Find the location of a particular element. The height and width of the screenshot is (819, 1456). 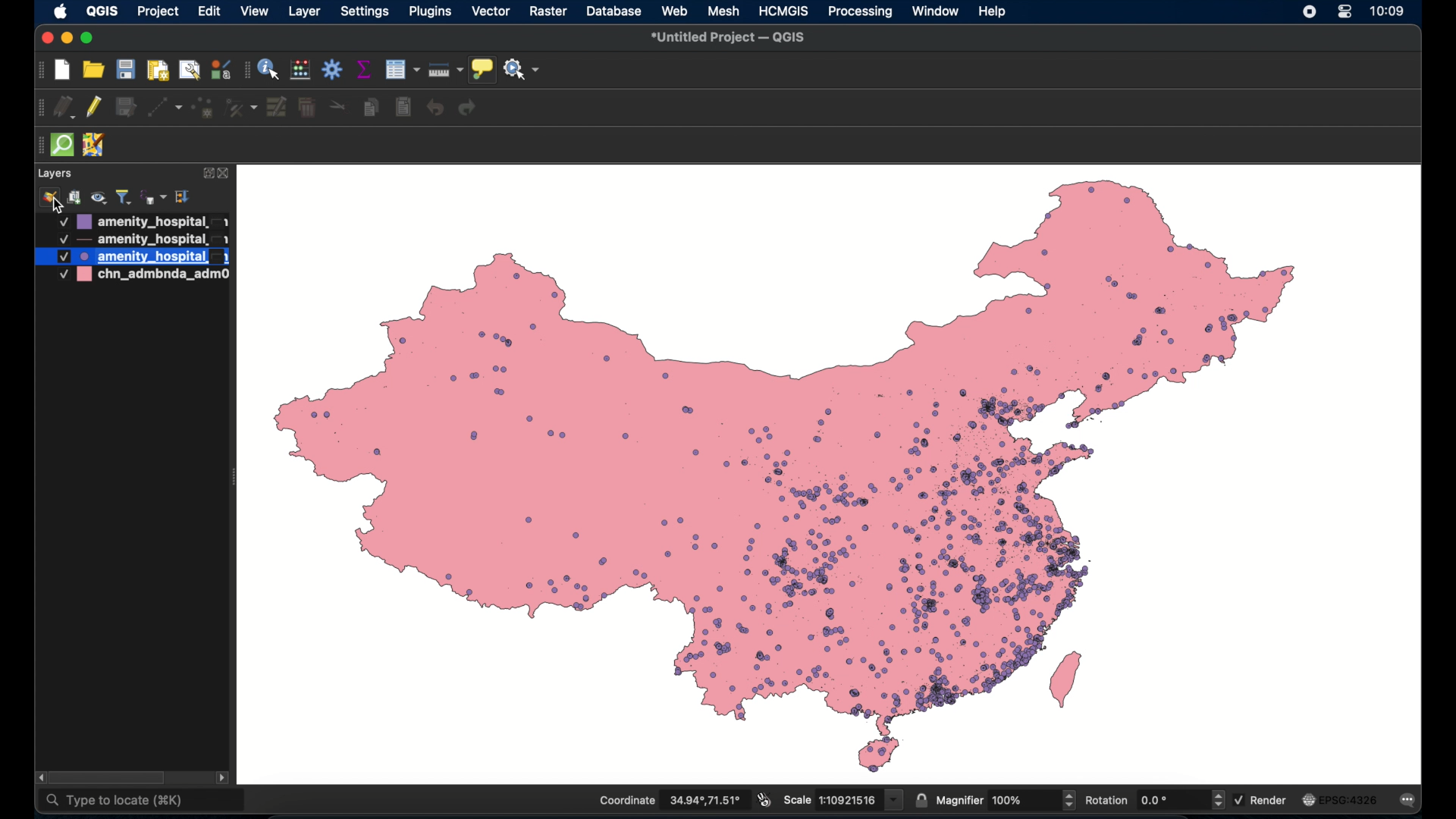

filter legend by expression is located at coordinates (152, 197).